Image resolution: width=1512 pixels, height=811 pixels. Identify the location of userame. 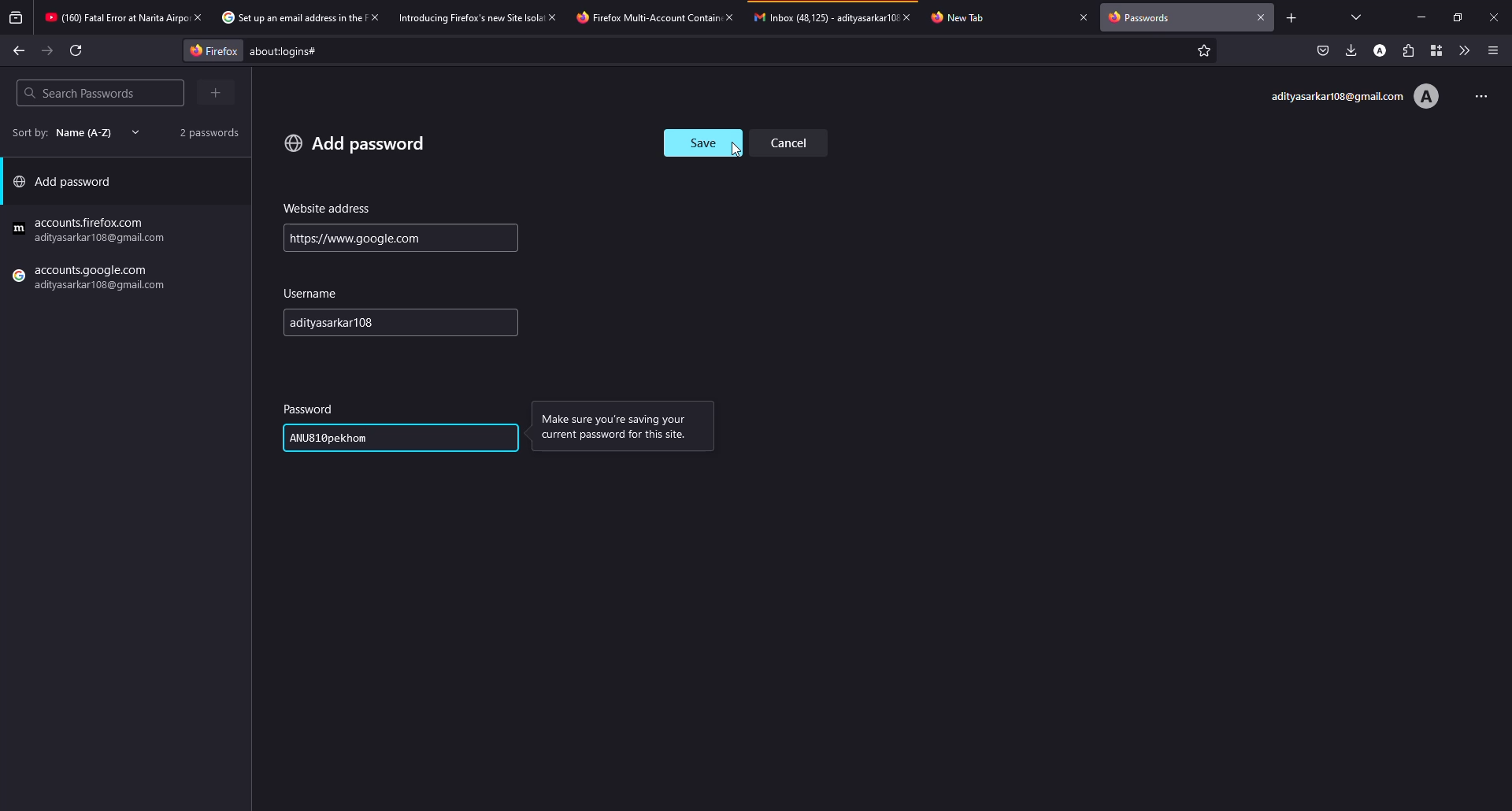
(315, 294).